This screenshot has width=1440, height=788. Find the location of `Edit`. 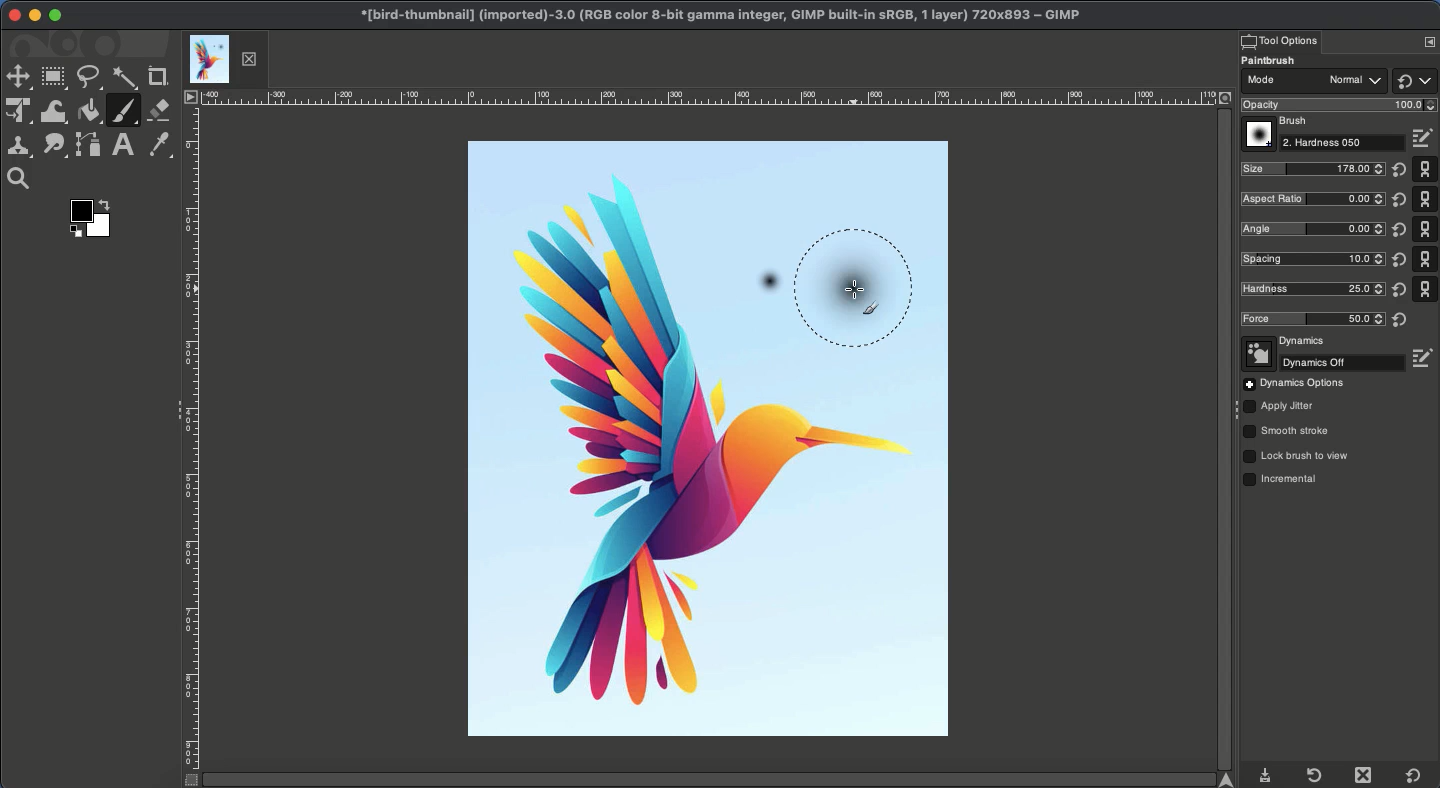

Edit is located at coordinates (1425, 358).